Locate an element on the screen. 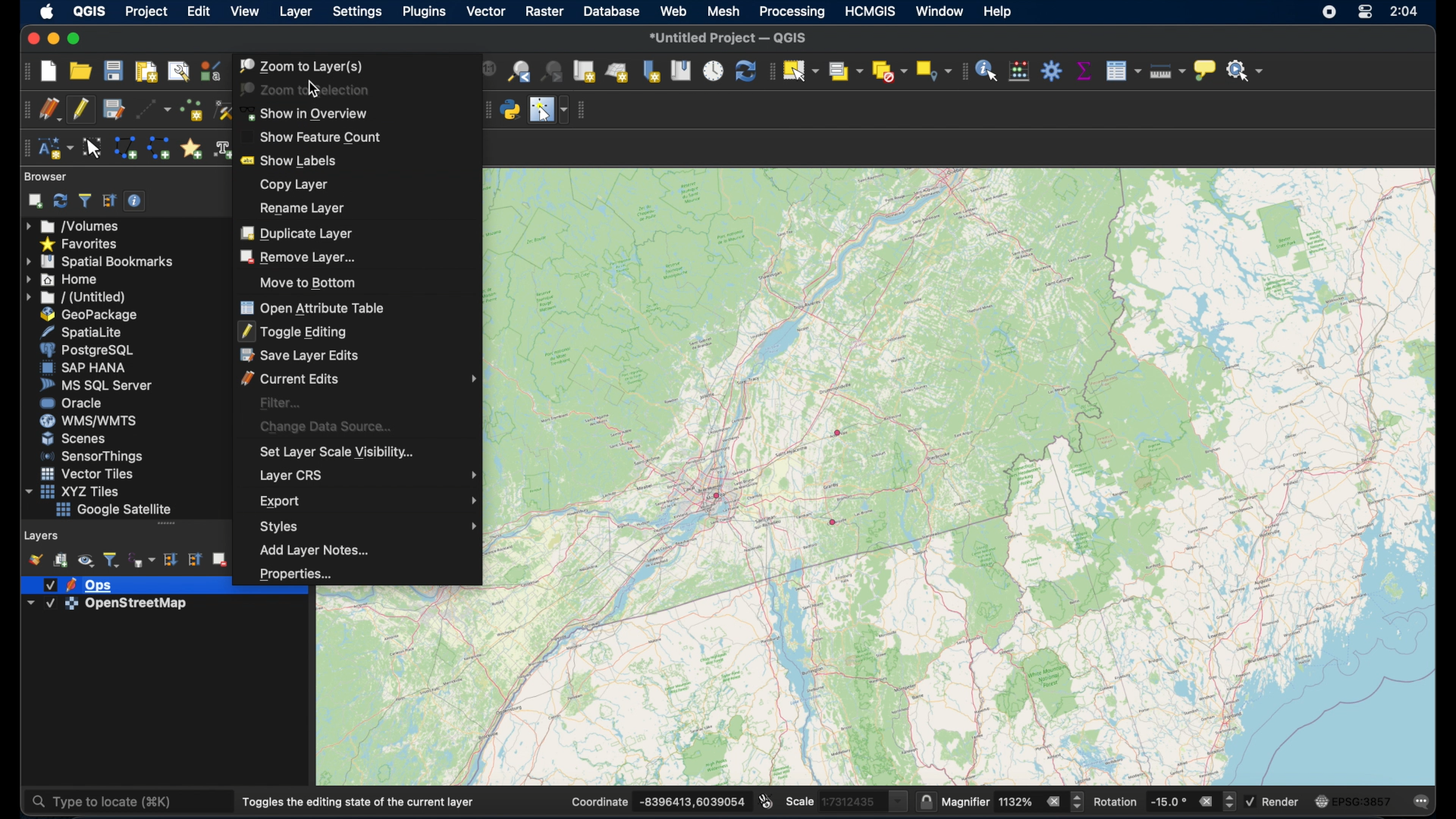  toggle editing is located at coordinates (80, 110).